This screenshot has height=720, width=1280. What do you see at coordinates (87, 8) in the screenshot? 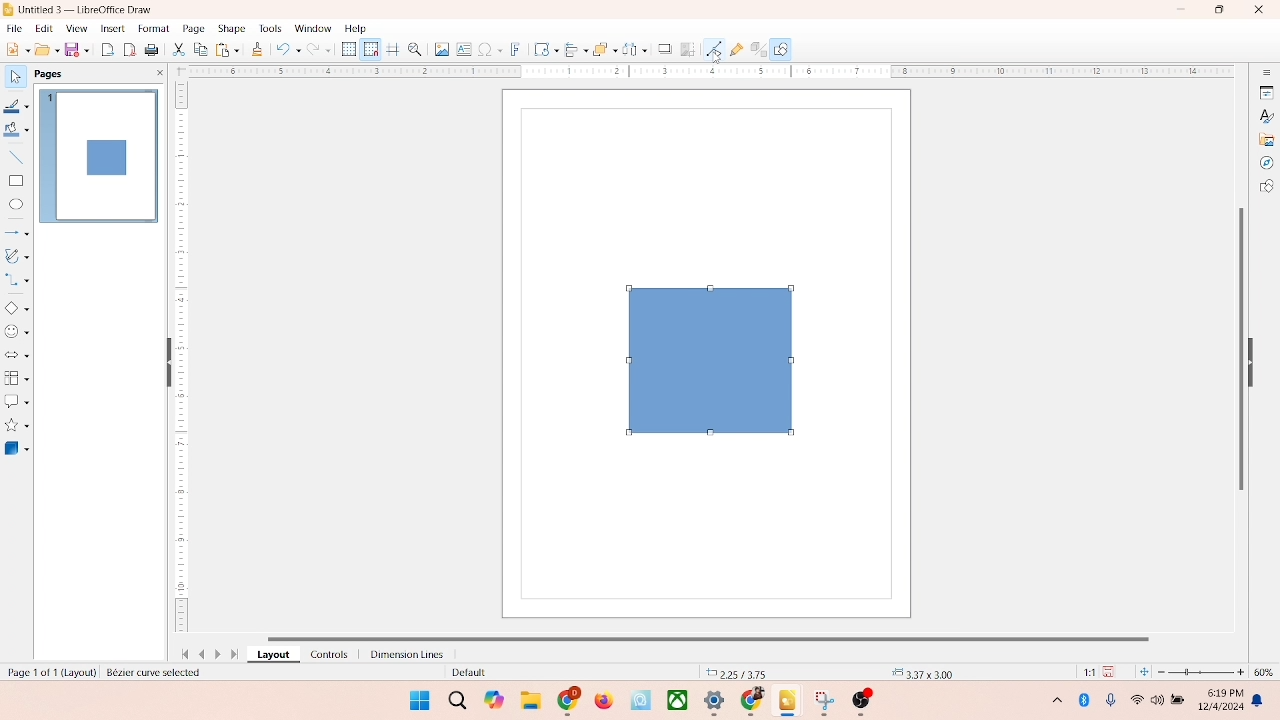
I see `title` at bounding box center [87, 8].